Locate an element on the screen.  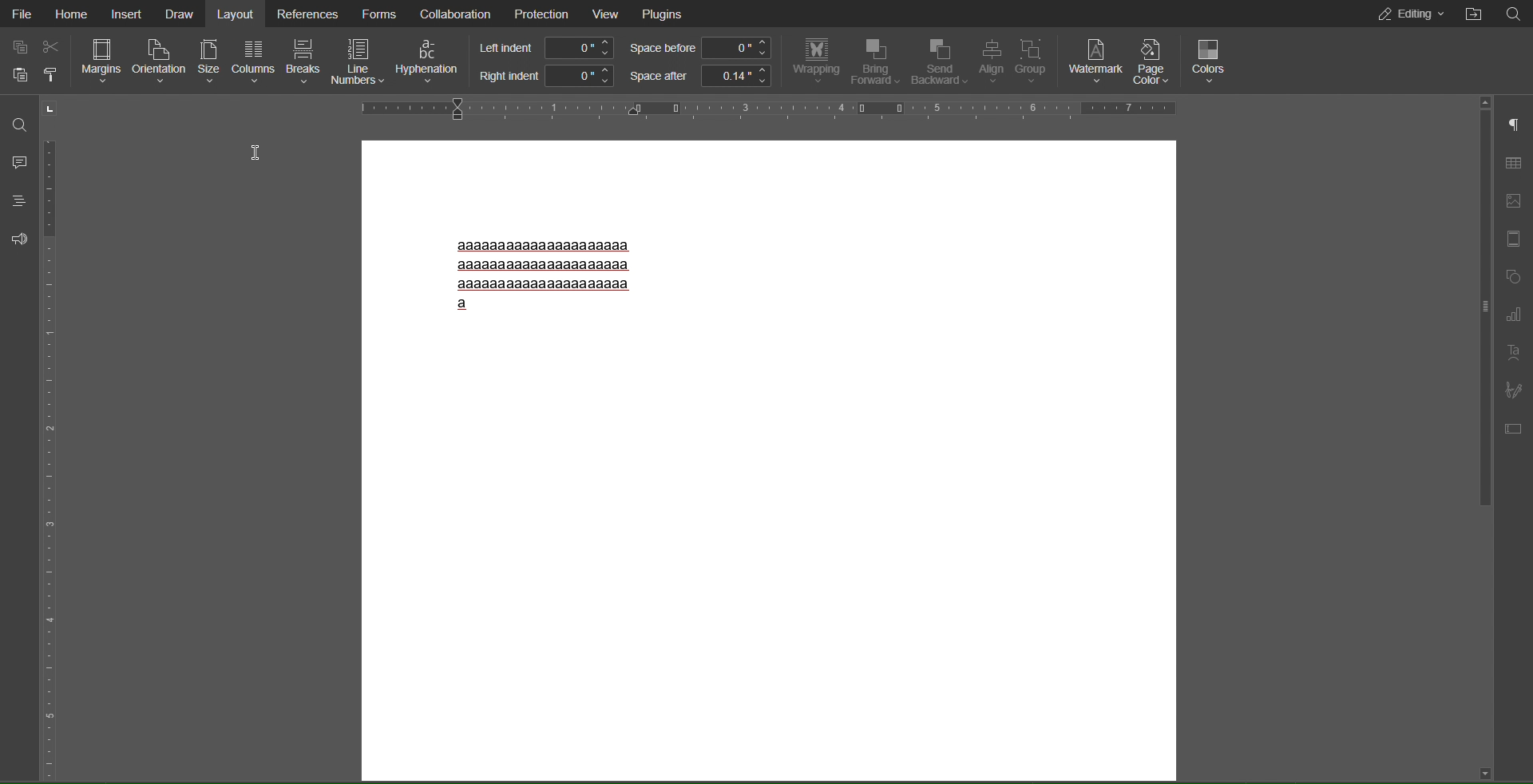
References is located at coordinates (307, 14).